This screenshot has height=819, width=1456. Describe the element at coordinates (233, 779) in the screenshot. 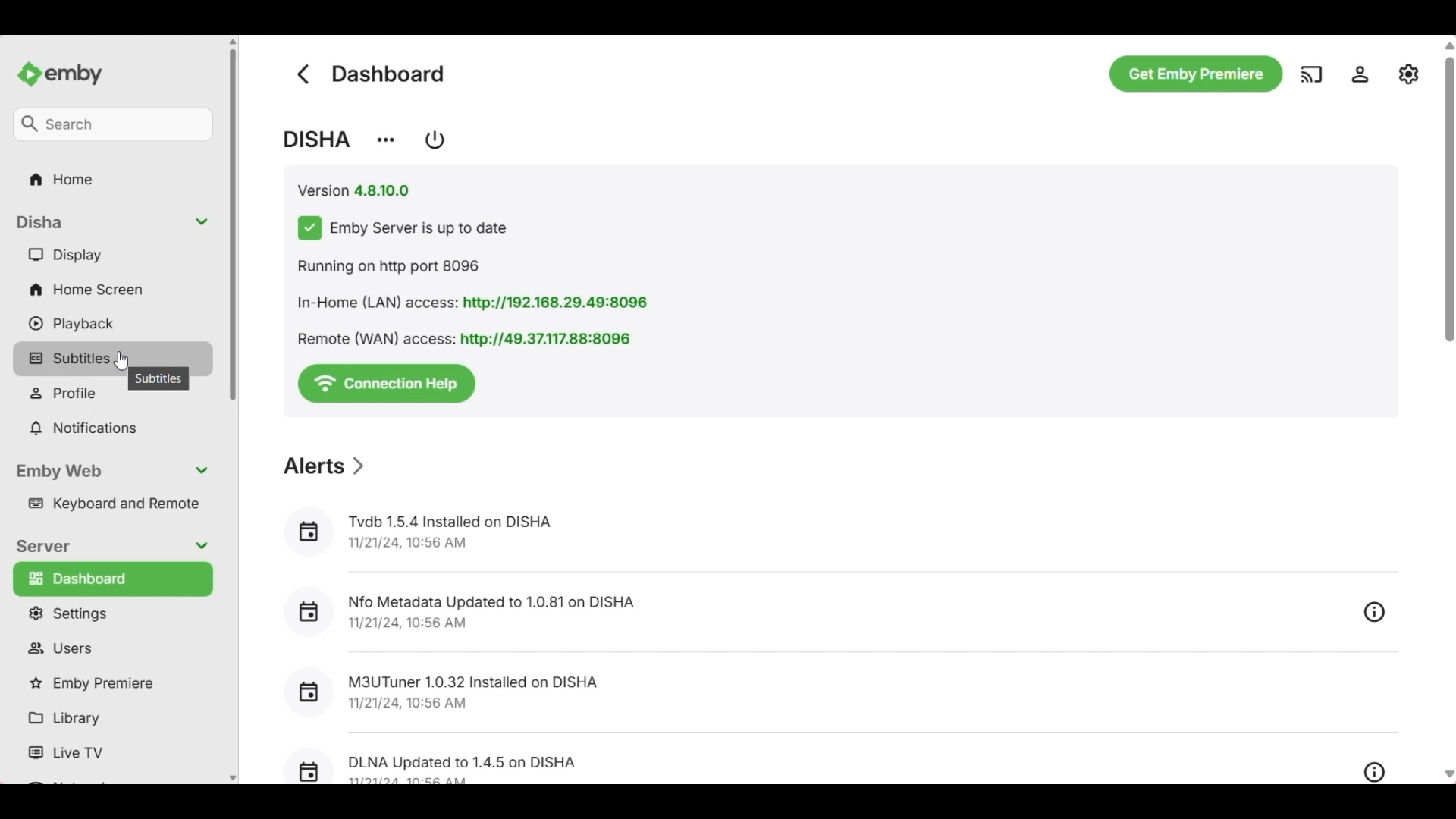

I see `Quick slide to bottom of the left panel` at that location.